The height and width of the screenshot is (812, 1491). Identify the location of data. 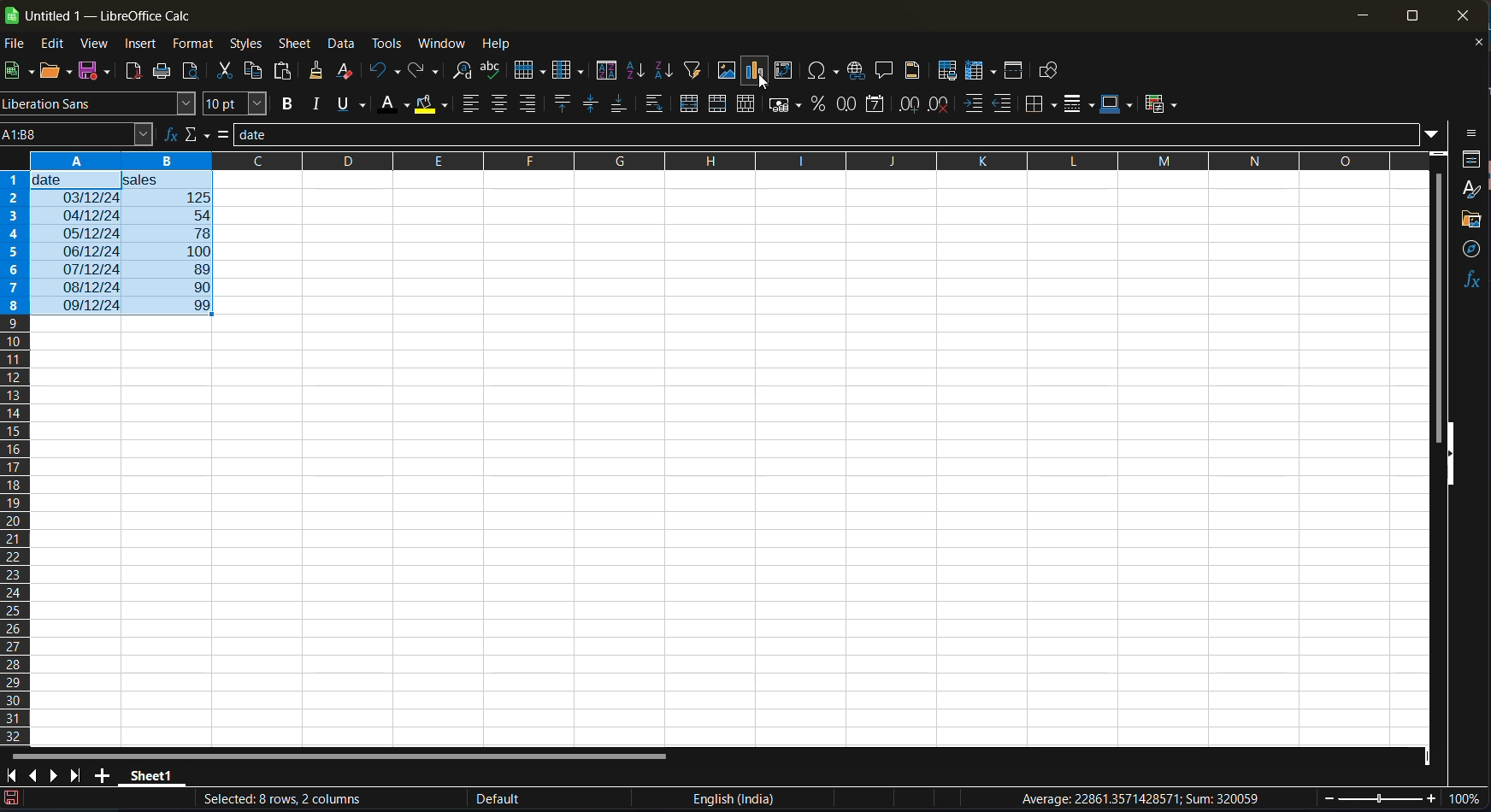
(343, 44).